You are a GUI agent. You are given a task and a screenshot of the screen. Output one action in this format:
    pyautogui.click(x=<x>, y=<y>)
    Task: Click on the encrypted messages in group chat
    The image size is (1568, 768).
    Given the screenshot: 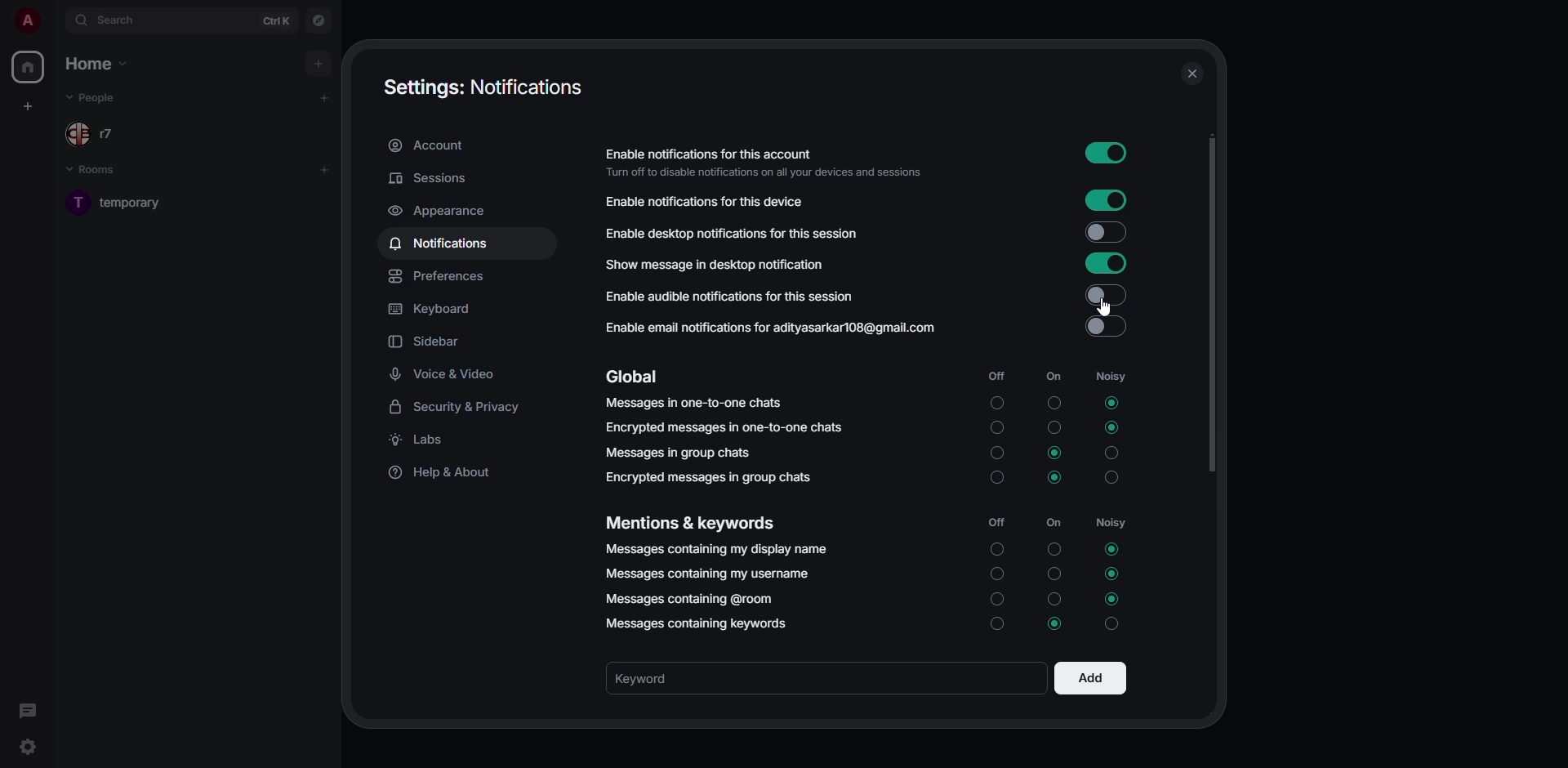 What is the action you would take?
    pyautogui.click(x=712, y=476)
    